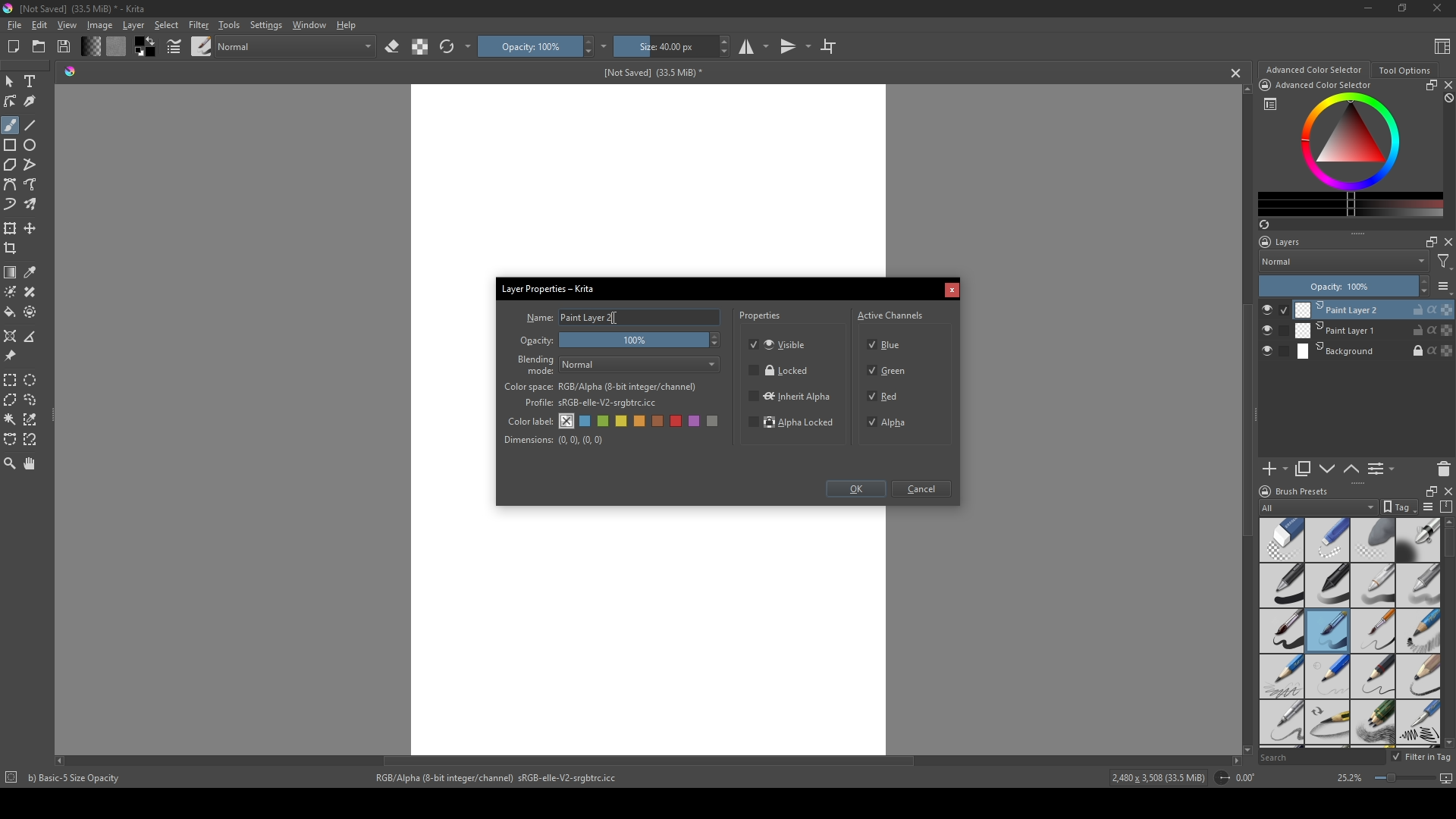 The width and height of the screenshot is (1456, 819). Describe the element at coordinates (11, 440) in the screenshot. I see `bezier curve` at that location.